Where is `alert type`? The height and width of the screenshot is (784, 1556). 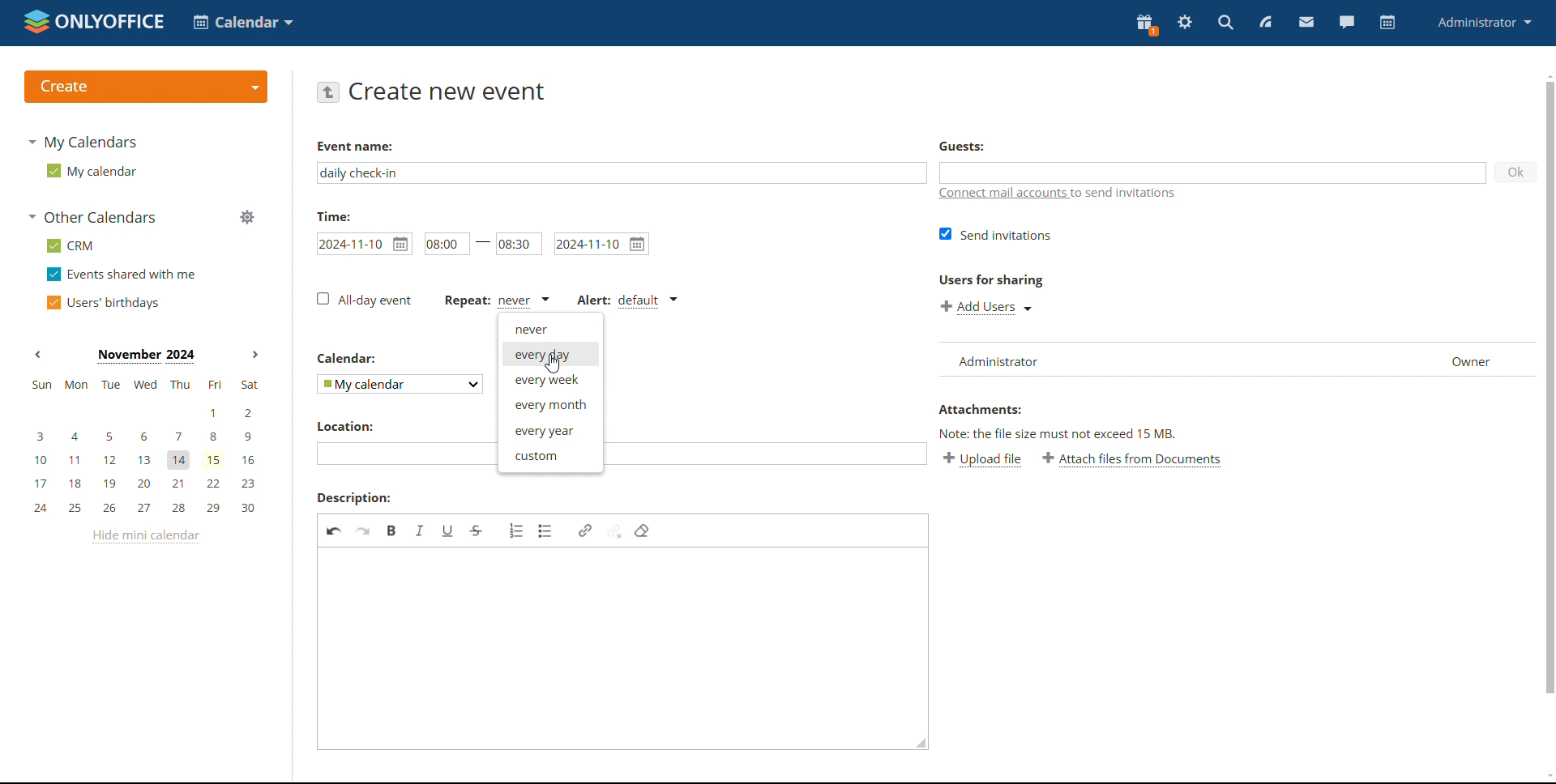 alert type is located at coordinates (627, 300).